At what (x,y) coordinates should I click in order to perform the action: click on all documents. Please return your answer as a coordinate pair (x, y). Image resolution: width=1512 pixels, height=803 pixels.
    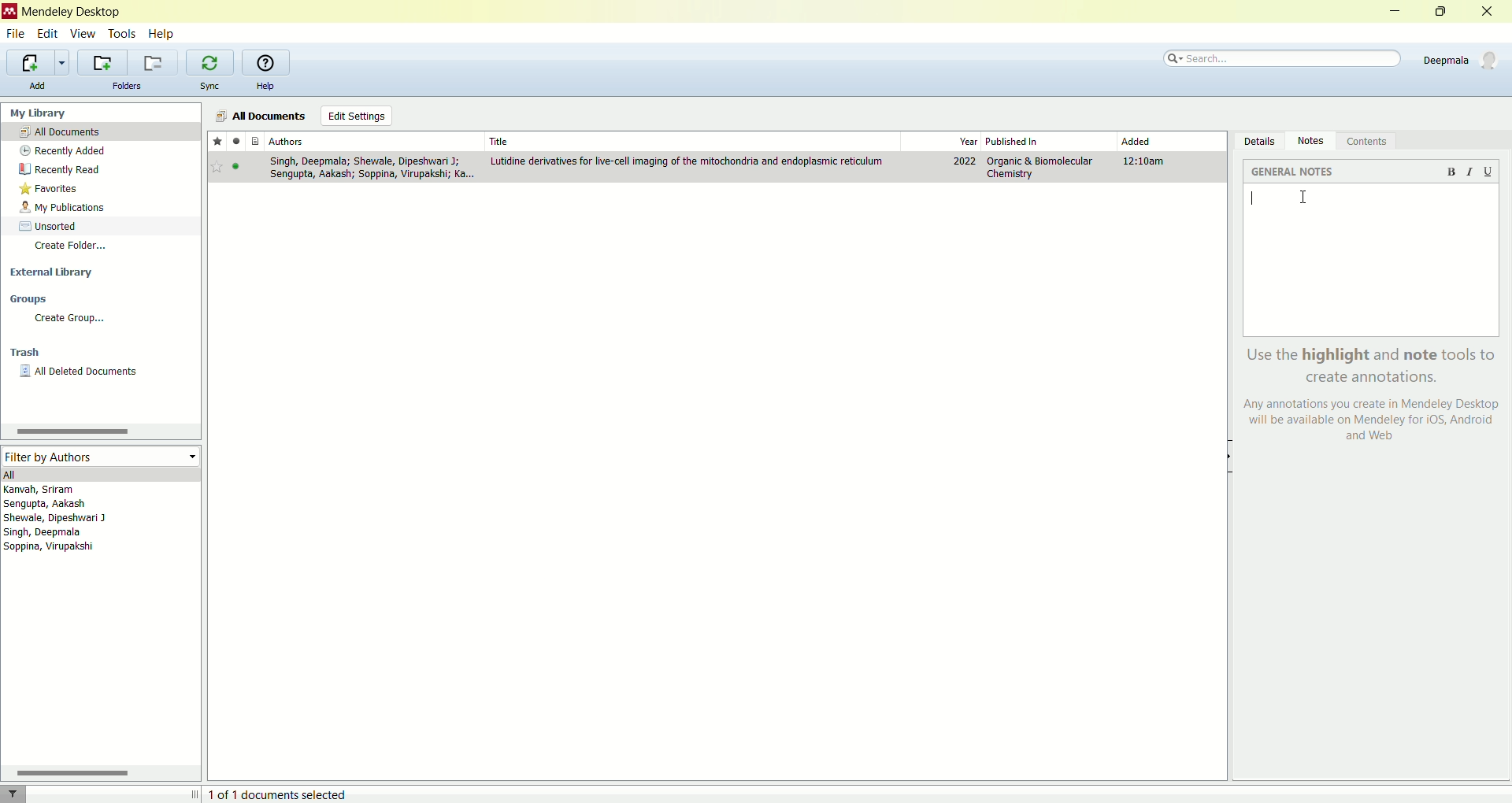
    Looking at the image, I should click on (100, 131).